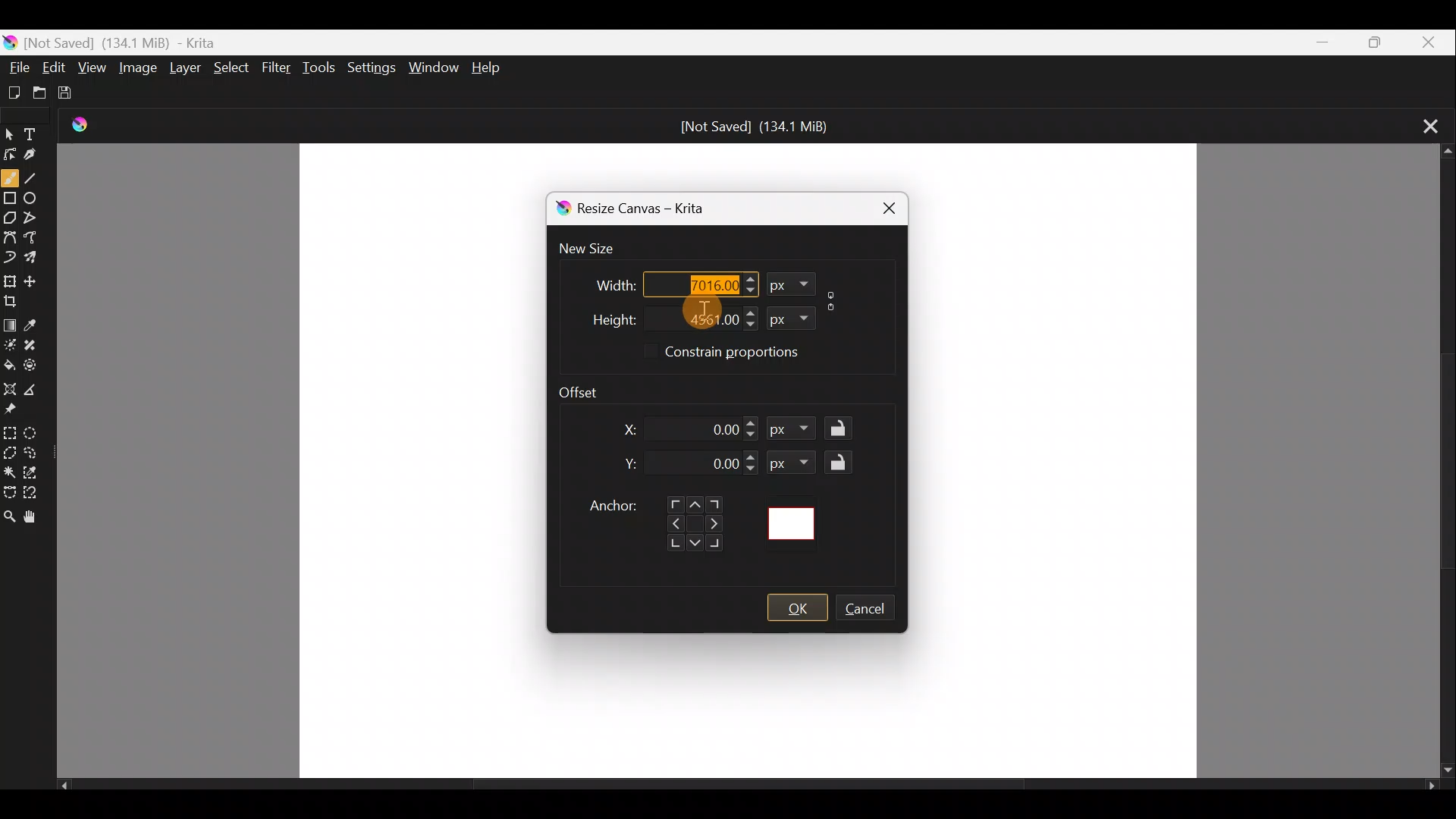 The image size is (1456, 819). What do you see at coordinates (11, 322) in the screenshot?
I see `Draw a gradient` at bounding box center [11, 322].